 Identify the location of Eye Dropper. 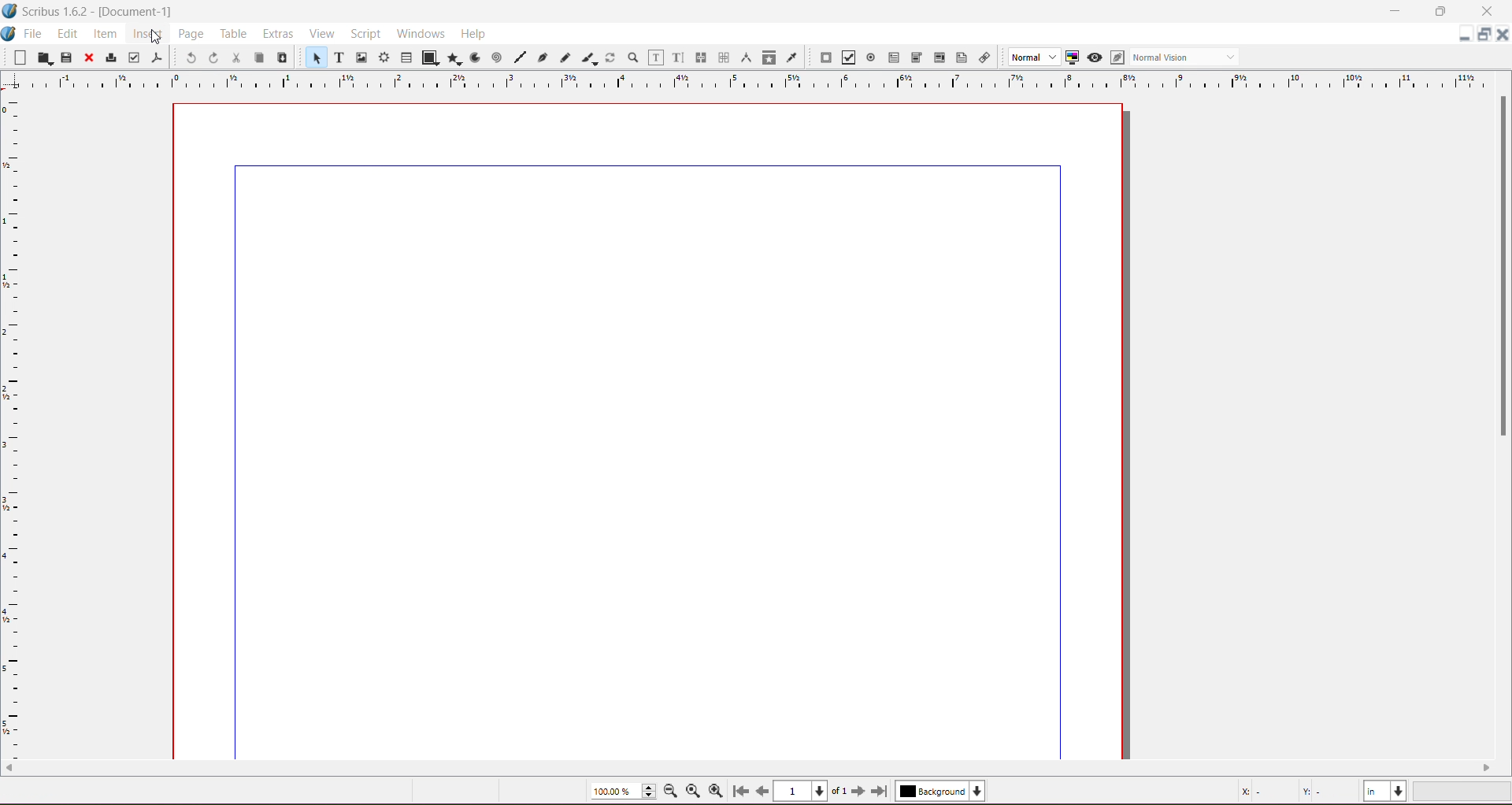
(791, 57).